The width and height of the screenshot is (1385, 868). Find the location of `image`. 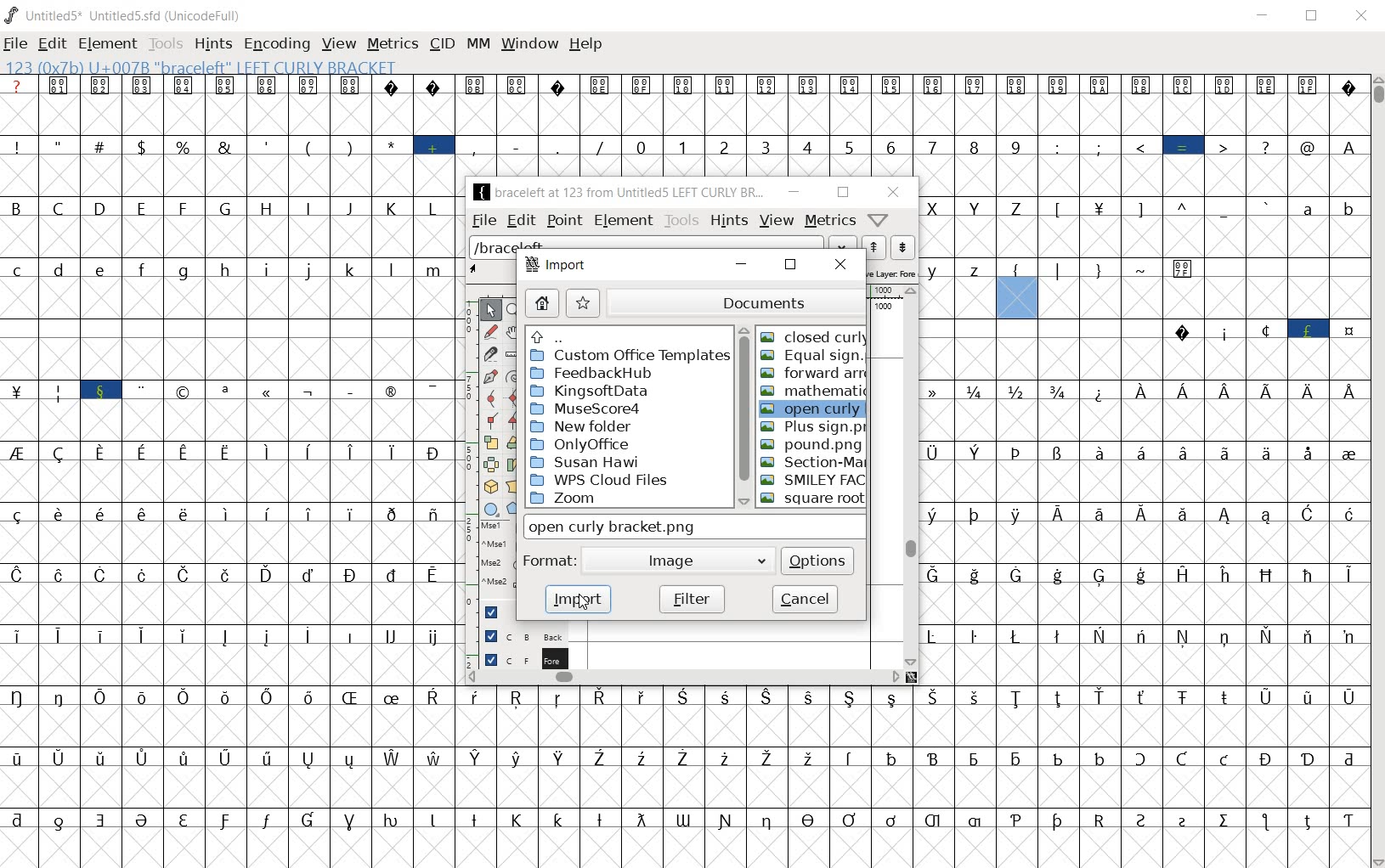

image is located at coordinates (676, 561).